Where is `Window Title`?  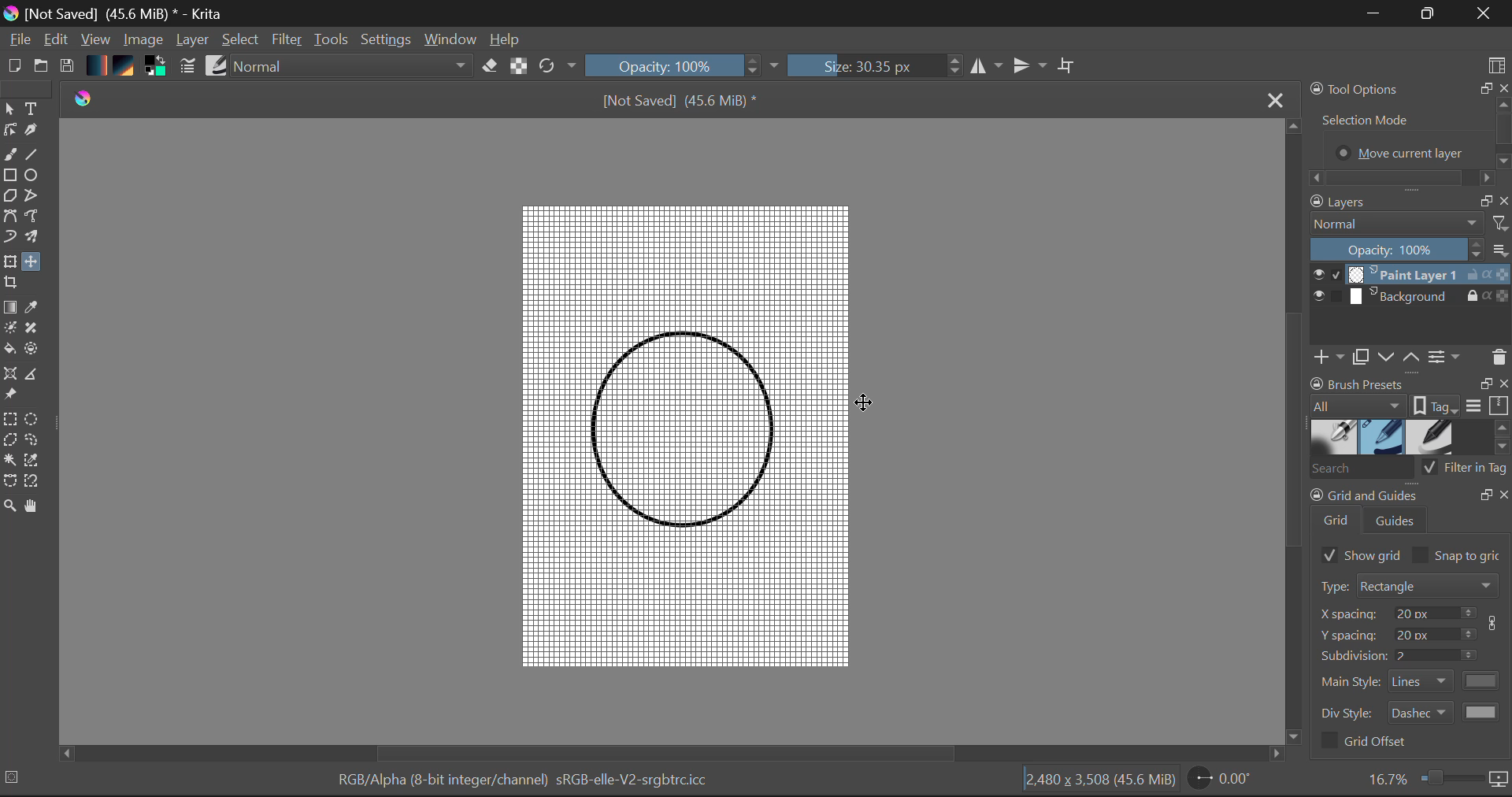 Window Title is located at coordinates (117, 13).